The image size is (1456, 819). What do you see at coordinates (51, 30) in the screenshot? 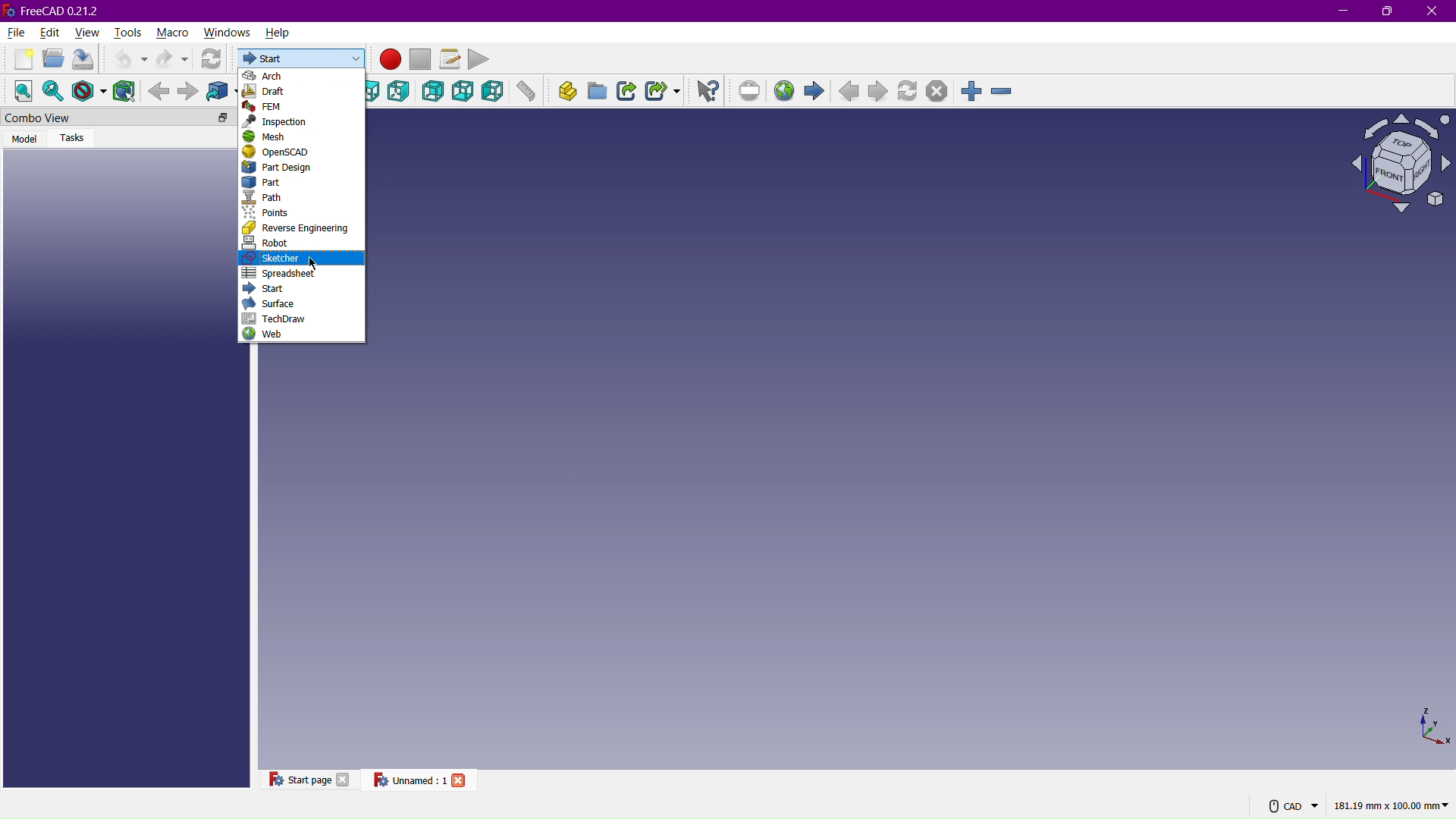
I see `Edit` at bounding box center [51, 30].